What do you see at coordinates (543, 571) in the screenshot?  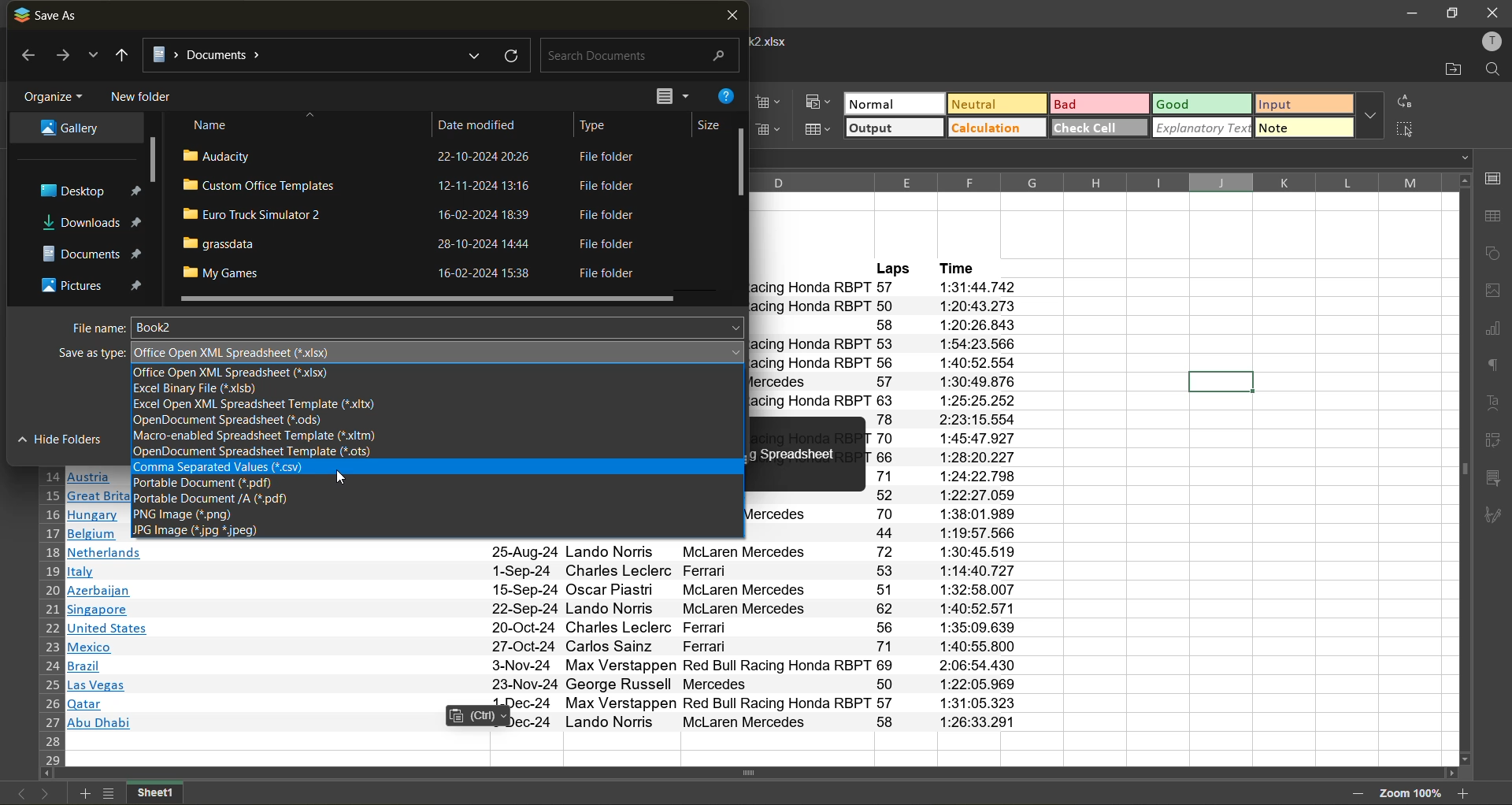 I see `text info` at bounding box center [543, 571].